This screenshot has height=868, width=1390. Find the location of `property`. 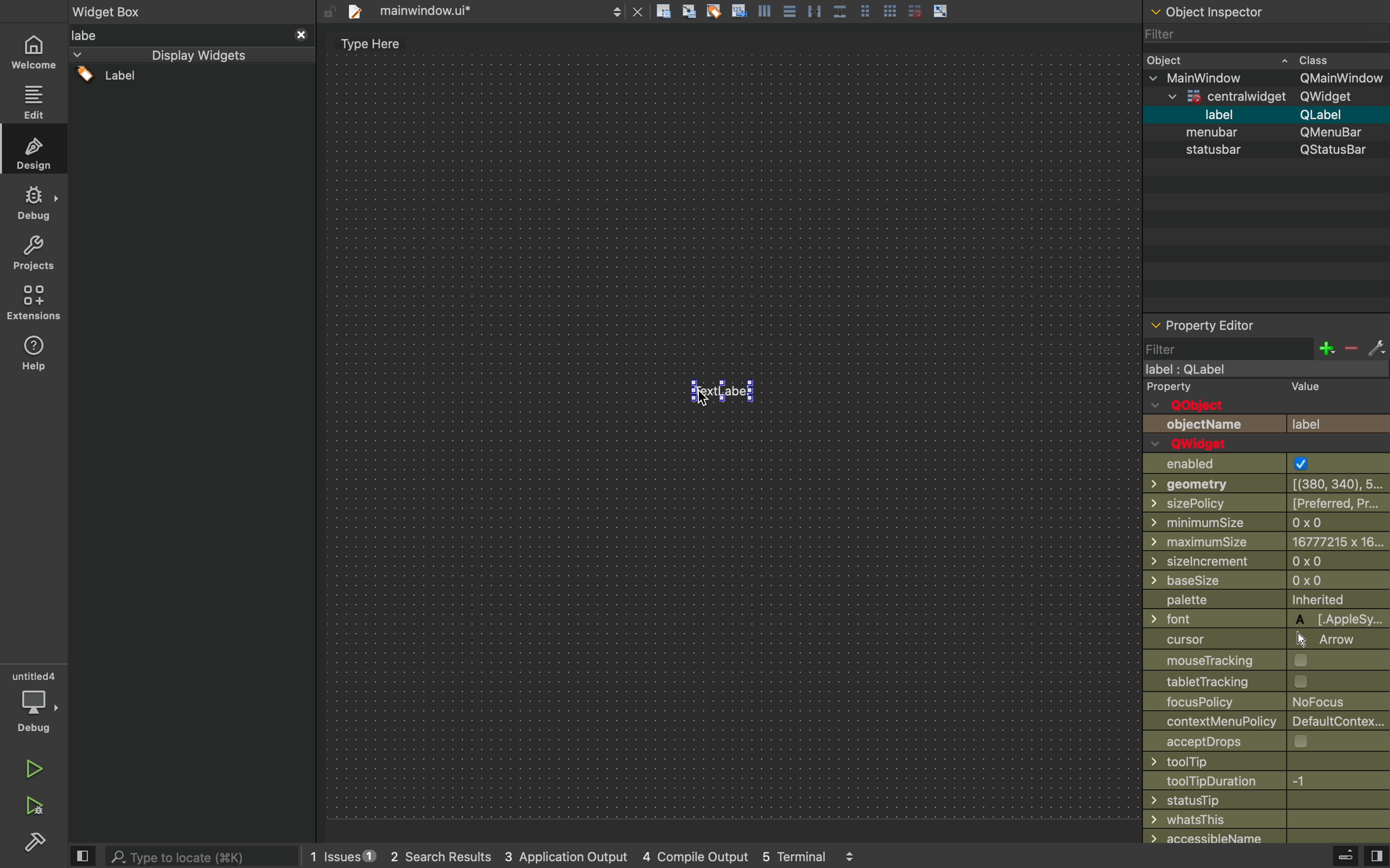

property is located at coordinates (1171, 387).